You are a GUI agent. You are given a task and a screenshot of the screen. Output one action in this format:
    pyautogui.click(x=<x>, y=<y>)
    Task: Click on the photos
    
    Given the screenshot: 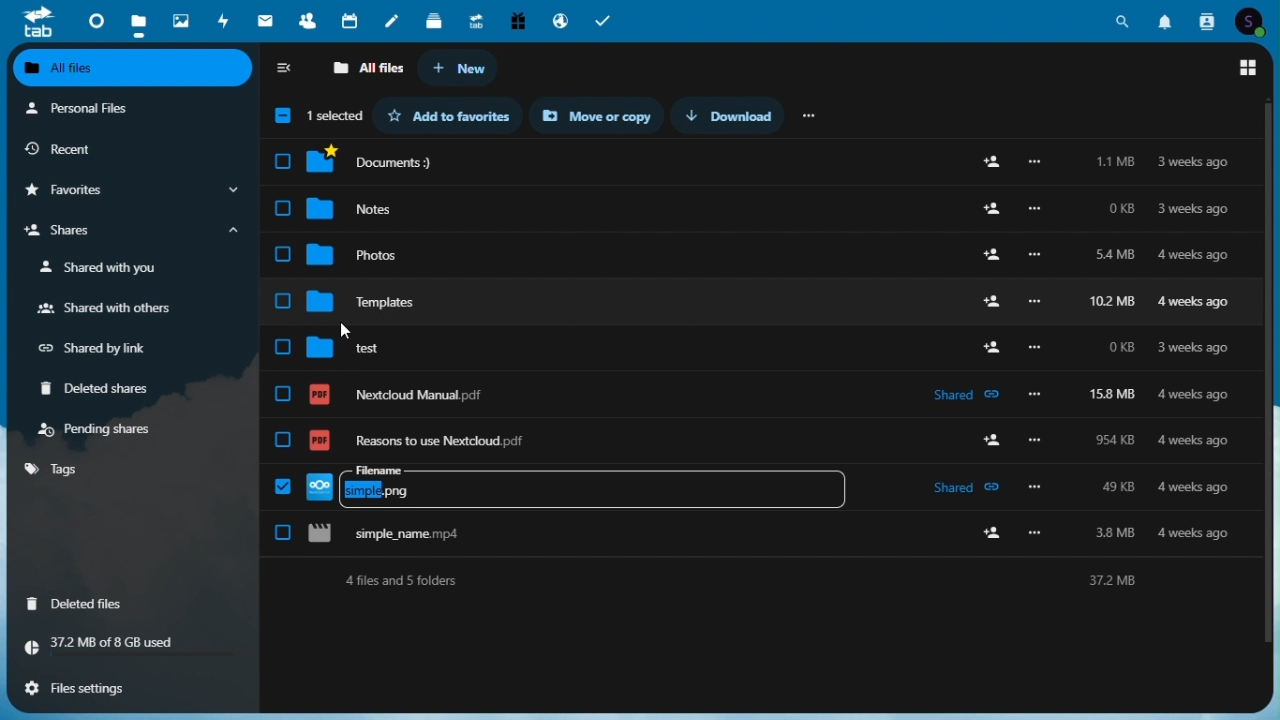 What is the action you would take?
    pyautogui.click(x=179, y=17)
    